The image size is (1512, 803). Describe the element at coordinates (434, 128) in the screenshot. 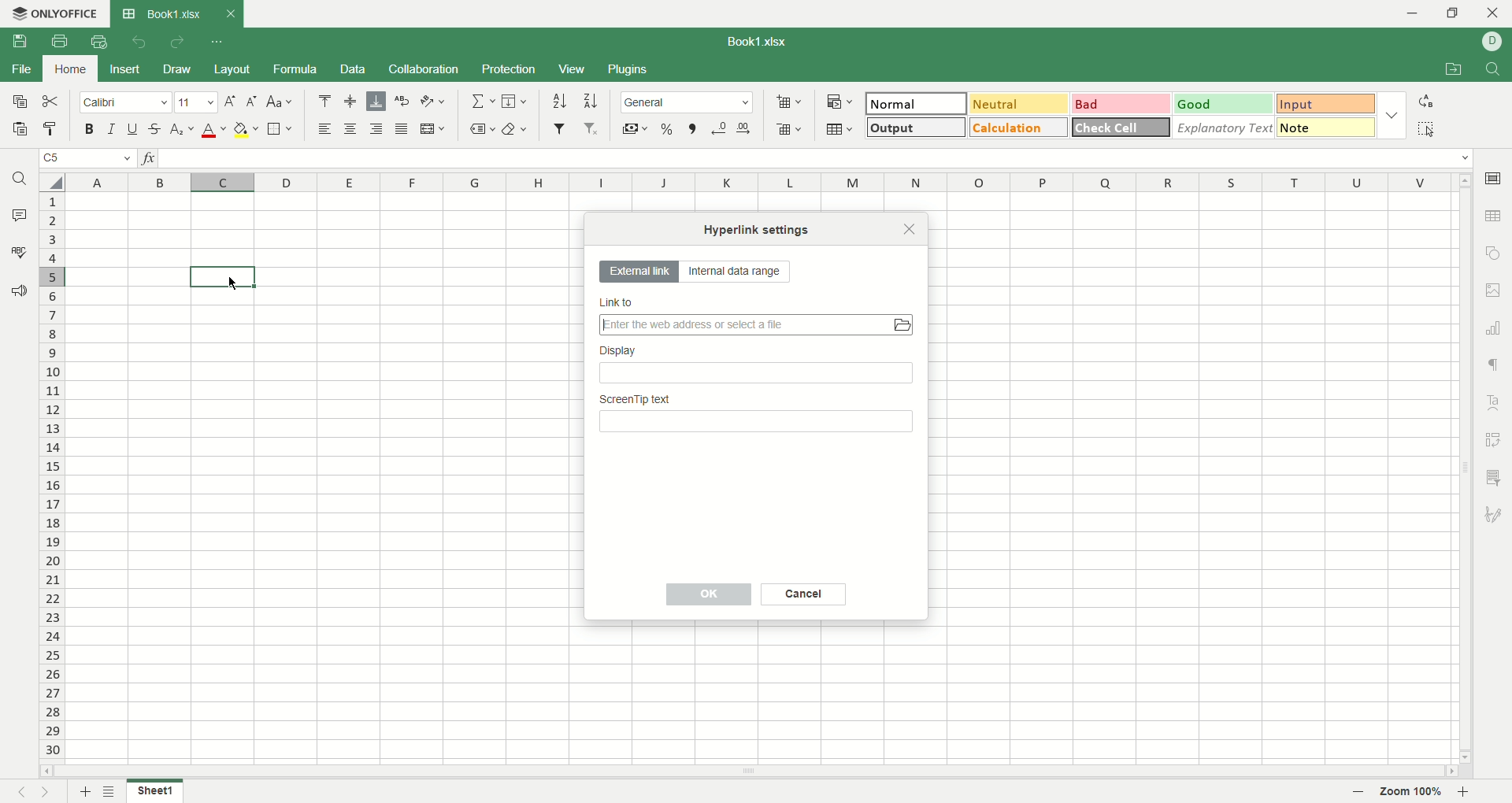

I see `merge and center` at that location.